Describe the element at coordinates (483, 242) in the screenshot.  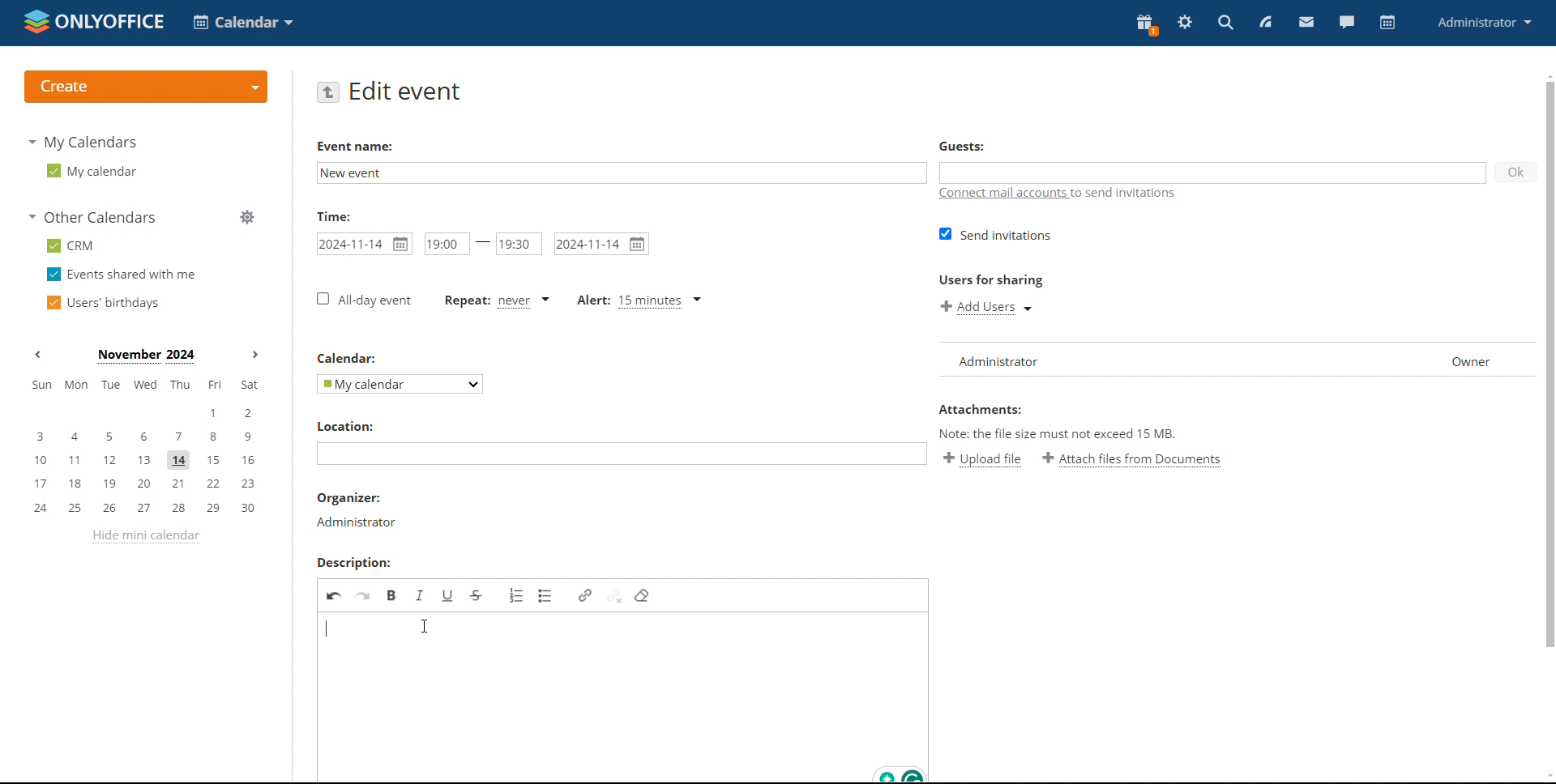
I see `-` at that location.